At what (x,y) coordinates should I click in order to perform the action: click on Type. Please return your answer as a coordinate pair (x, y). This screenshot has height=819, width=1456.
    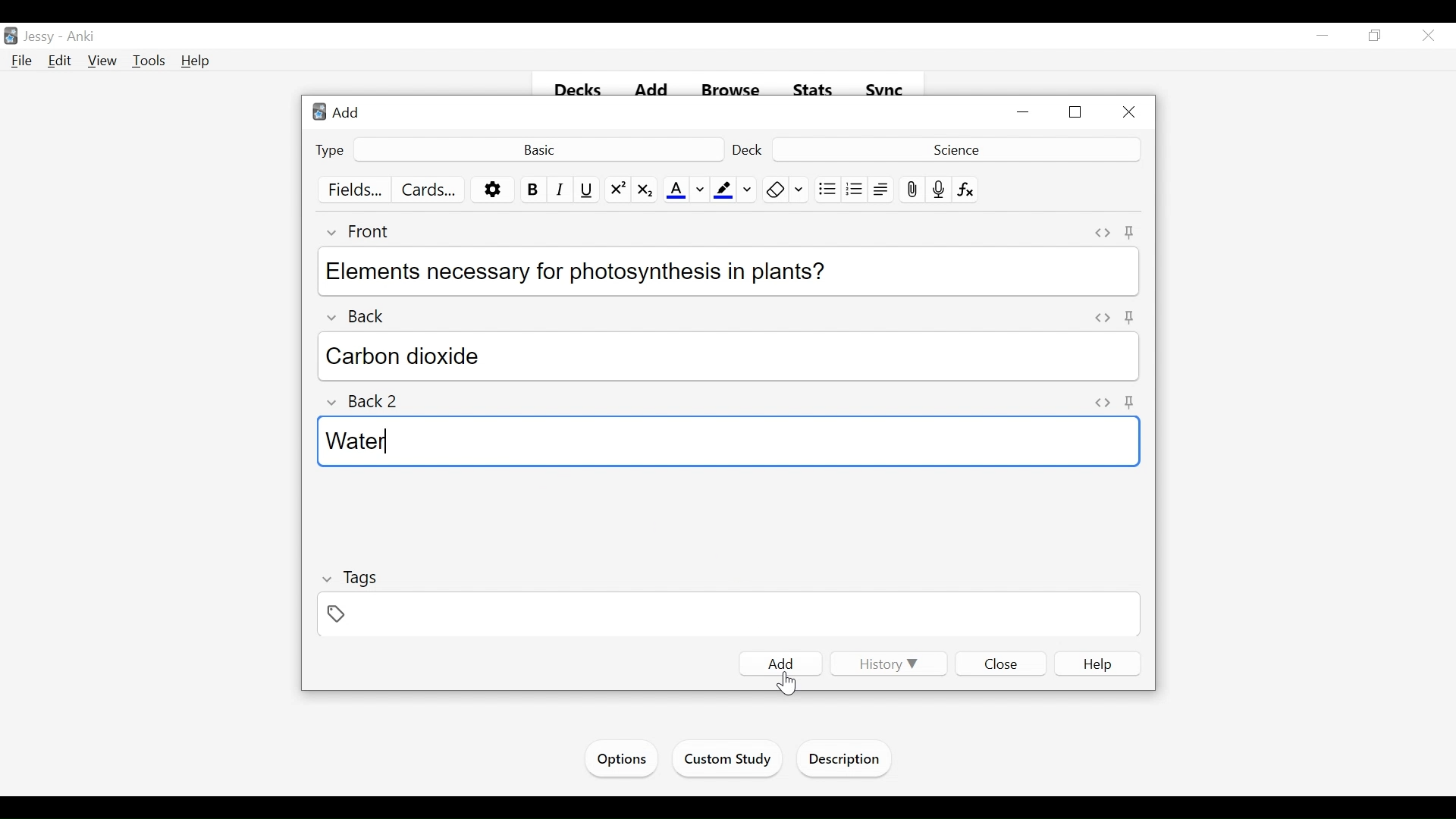
    Looking at the image, I should click on (331, 149).